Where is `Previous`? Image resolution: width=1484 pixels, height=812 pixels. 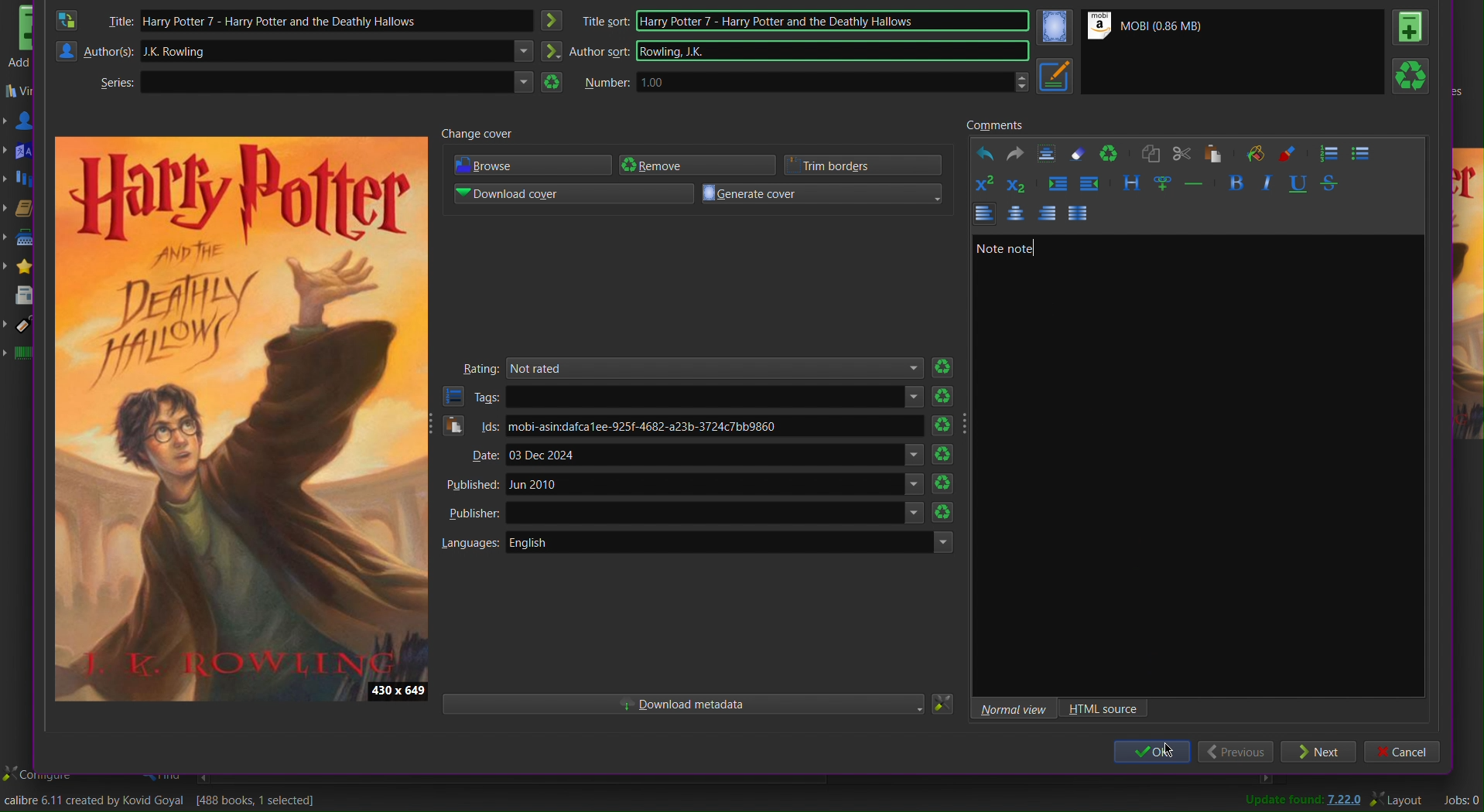
Previous is located at coordinates (1229, 753).